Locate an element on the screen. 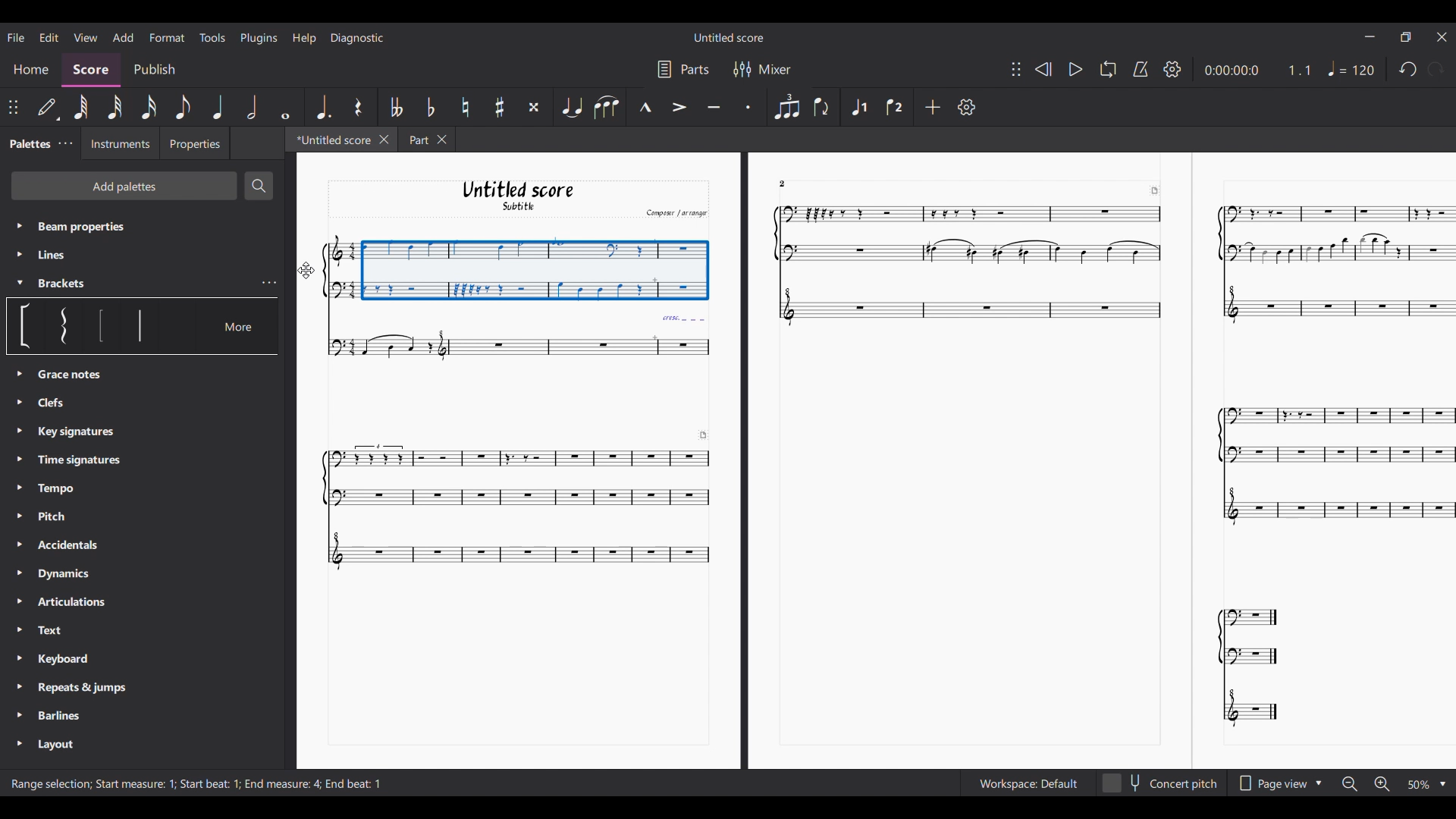 The height and width of the screenshot is (819, 1456). Flip direction is located at coordinates (821, 108).